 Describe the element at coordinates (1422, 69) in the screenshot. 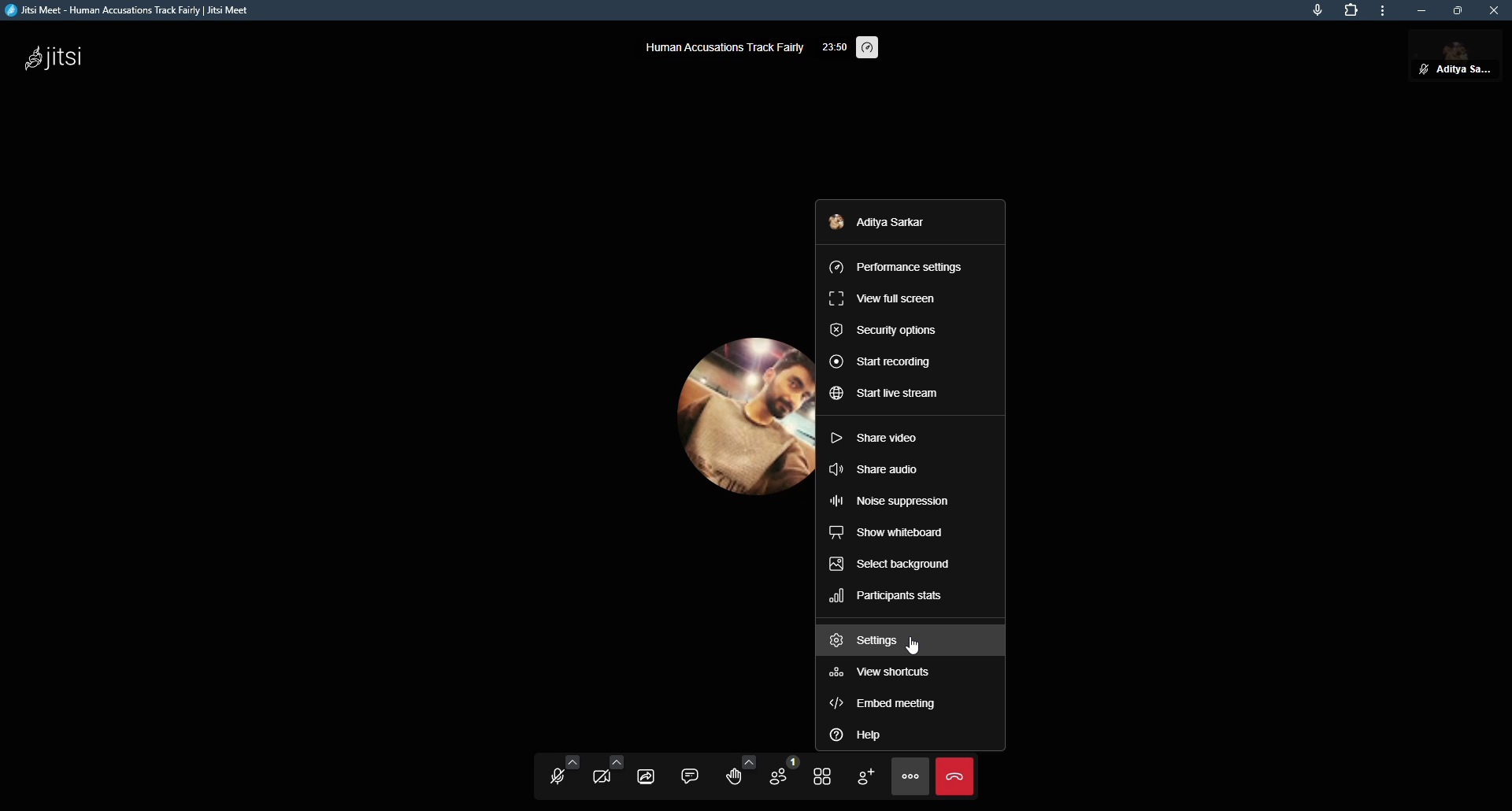

I see `unmute` at that location.